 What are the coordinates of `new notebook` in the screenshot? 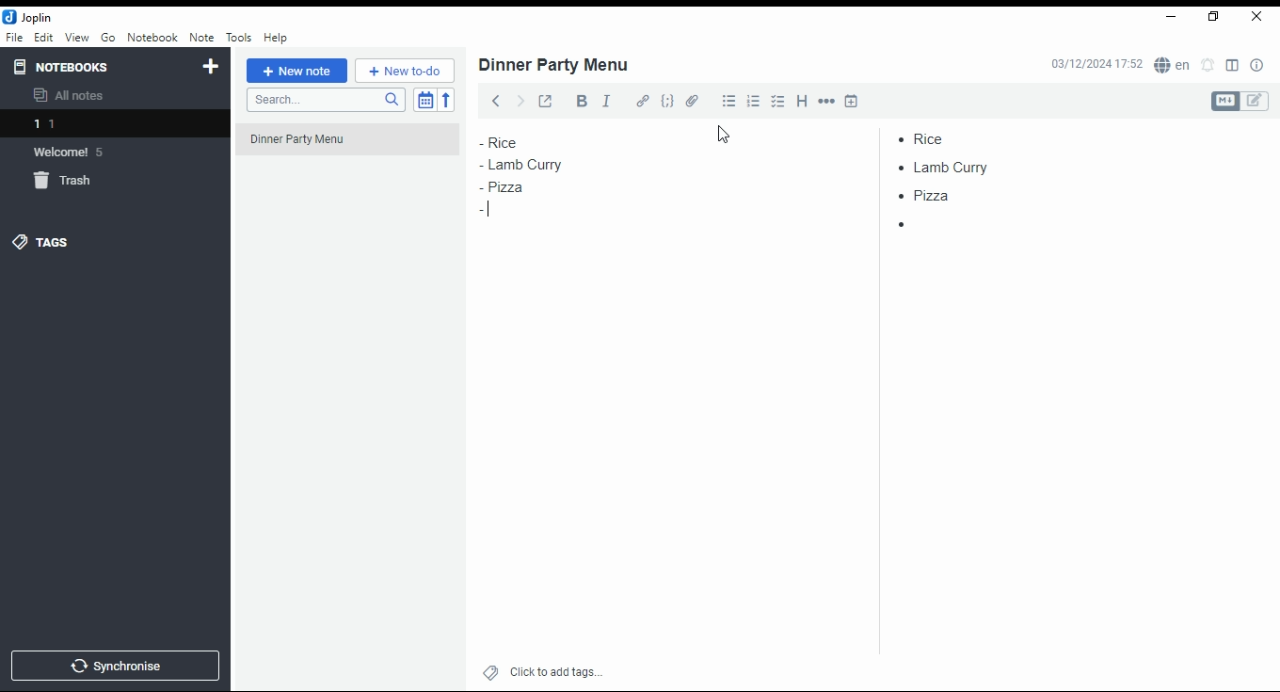 It's located at (211, 67).